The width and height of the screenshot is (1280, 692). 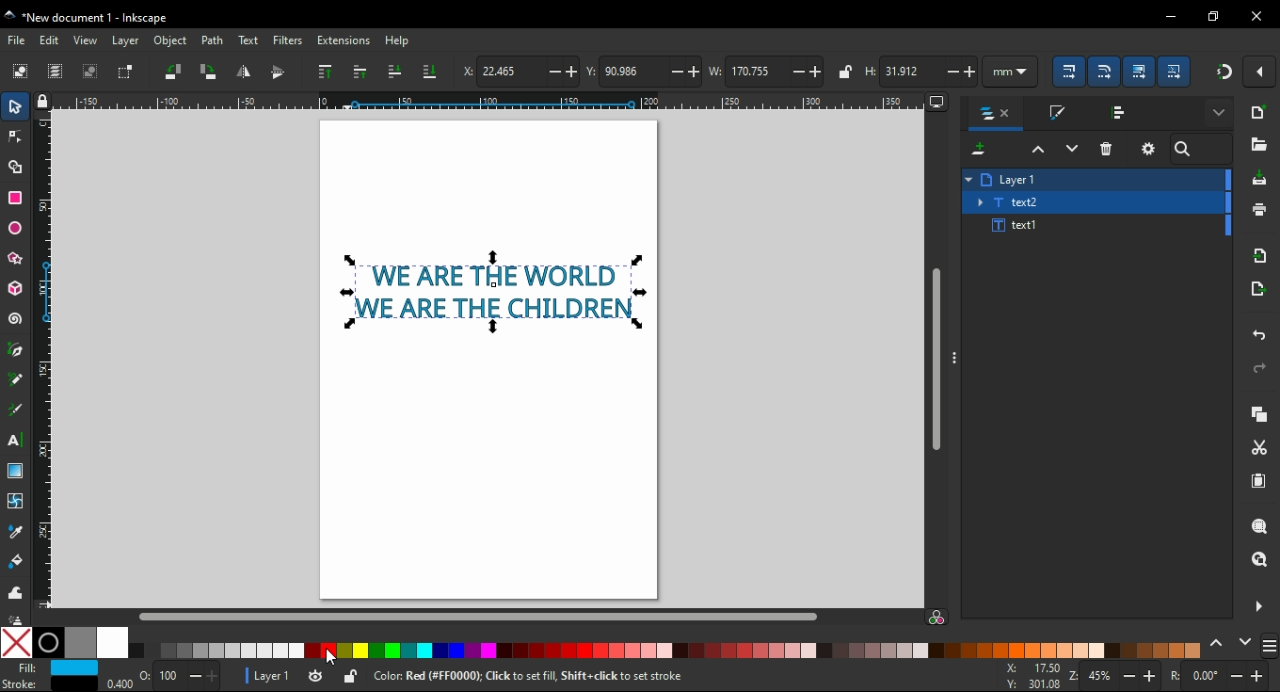 I want to click on more settings, so click(x=1269, y=646).